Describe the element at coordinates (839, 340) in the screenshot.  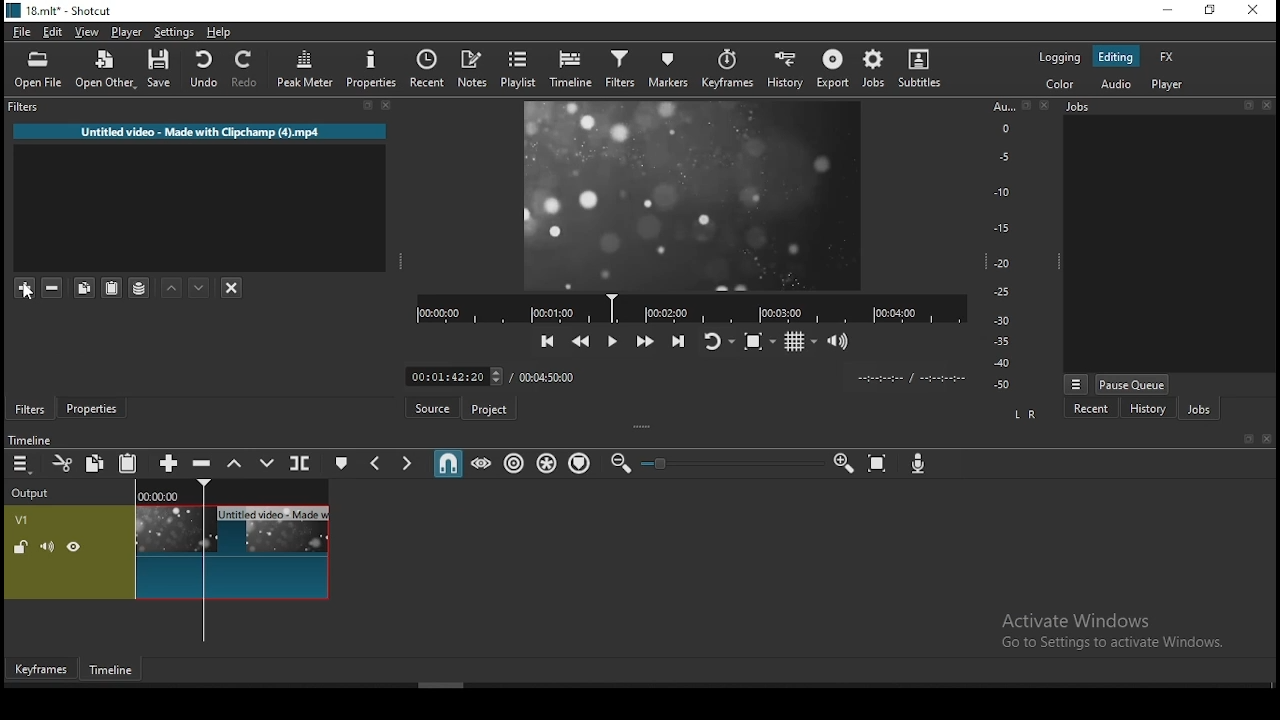
I see `show volume control` at that location.